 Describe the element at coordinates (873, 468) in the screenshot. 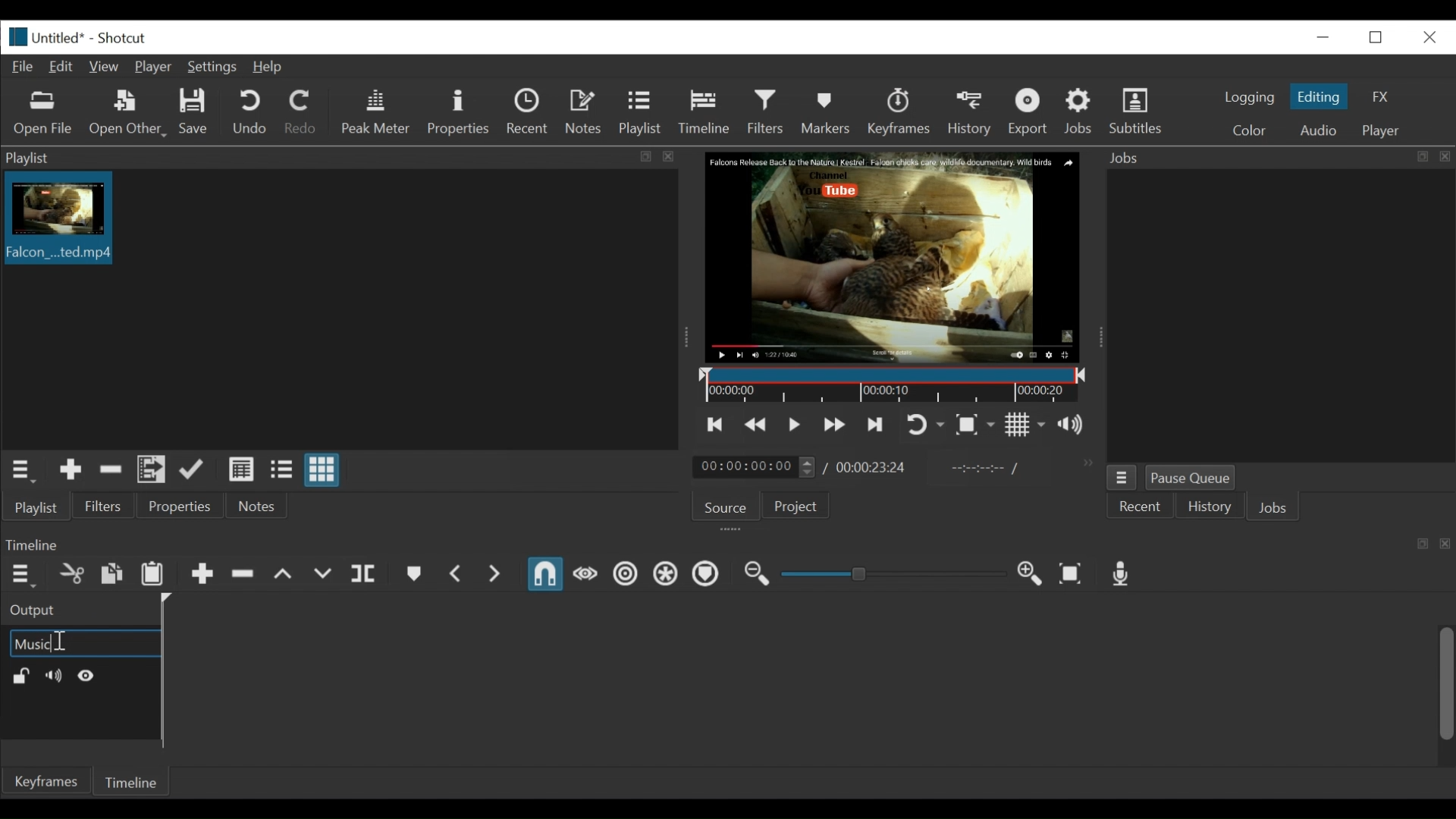

I see `Total Duration` at that location.